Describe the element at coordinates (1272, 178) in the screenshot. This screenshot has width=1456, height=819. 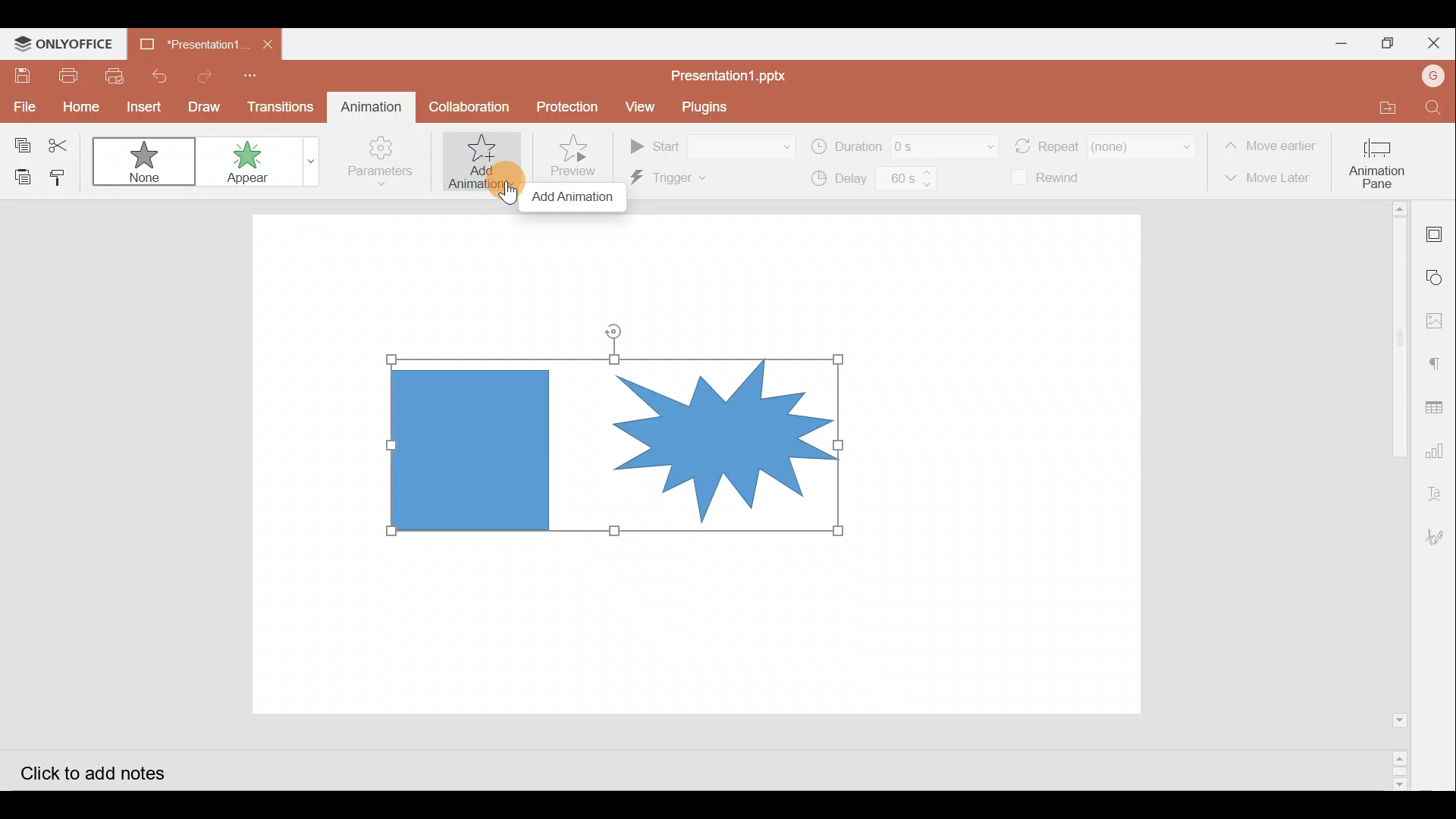
I see `Move later` at that location.